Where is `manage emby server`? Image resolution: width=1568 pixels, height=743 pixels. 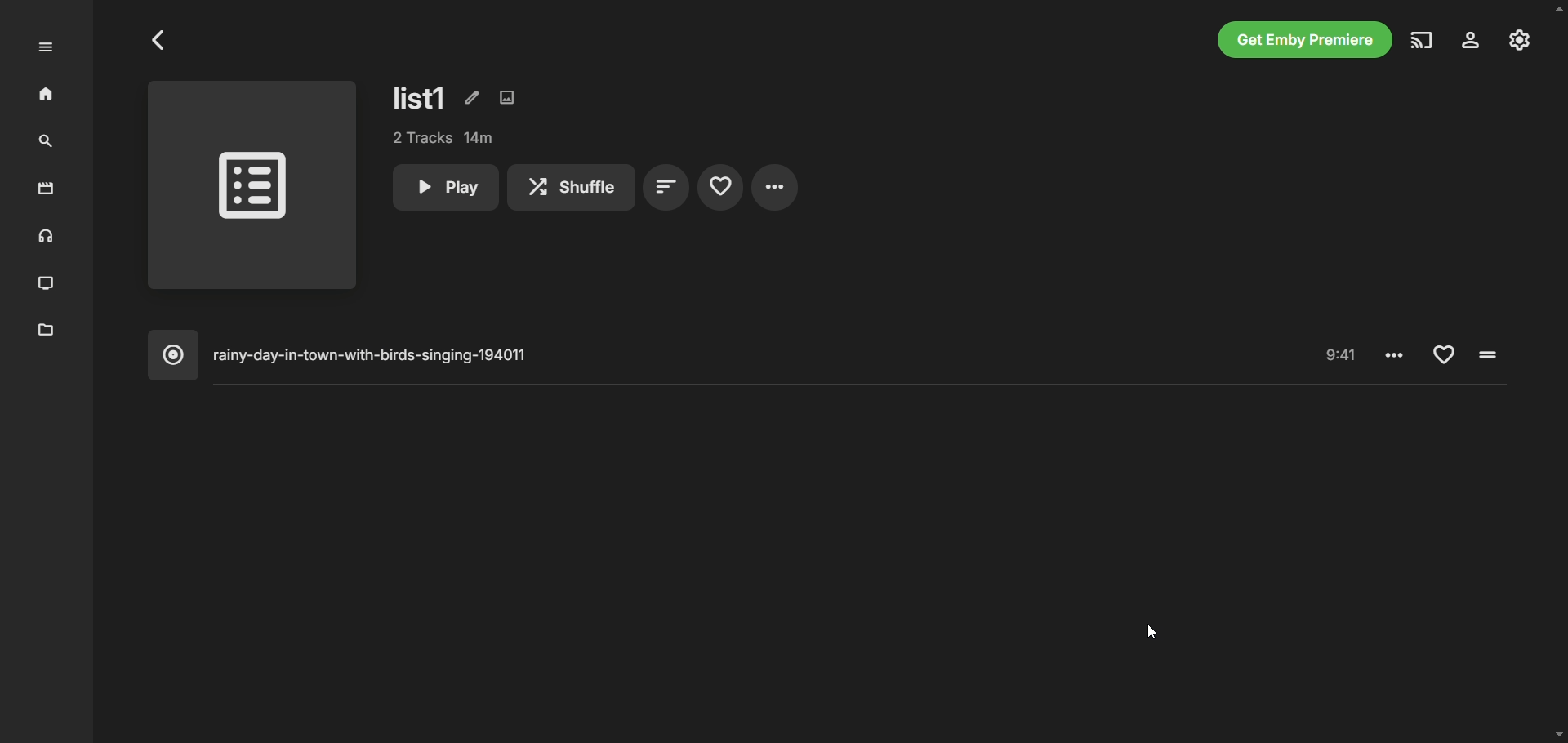
manage emby server is located at coordinates (1520, 40).